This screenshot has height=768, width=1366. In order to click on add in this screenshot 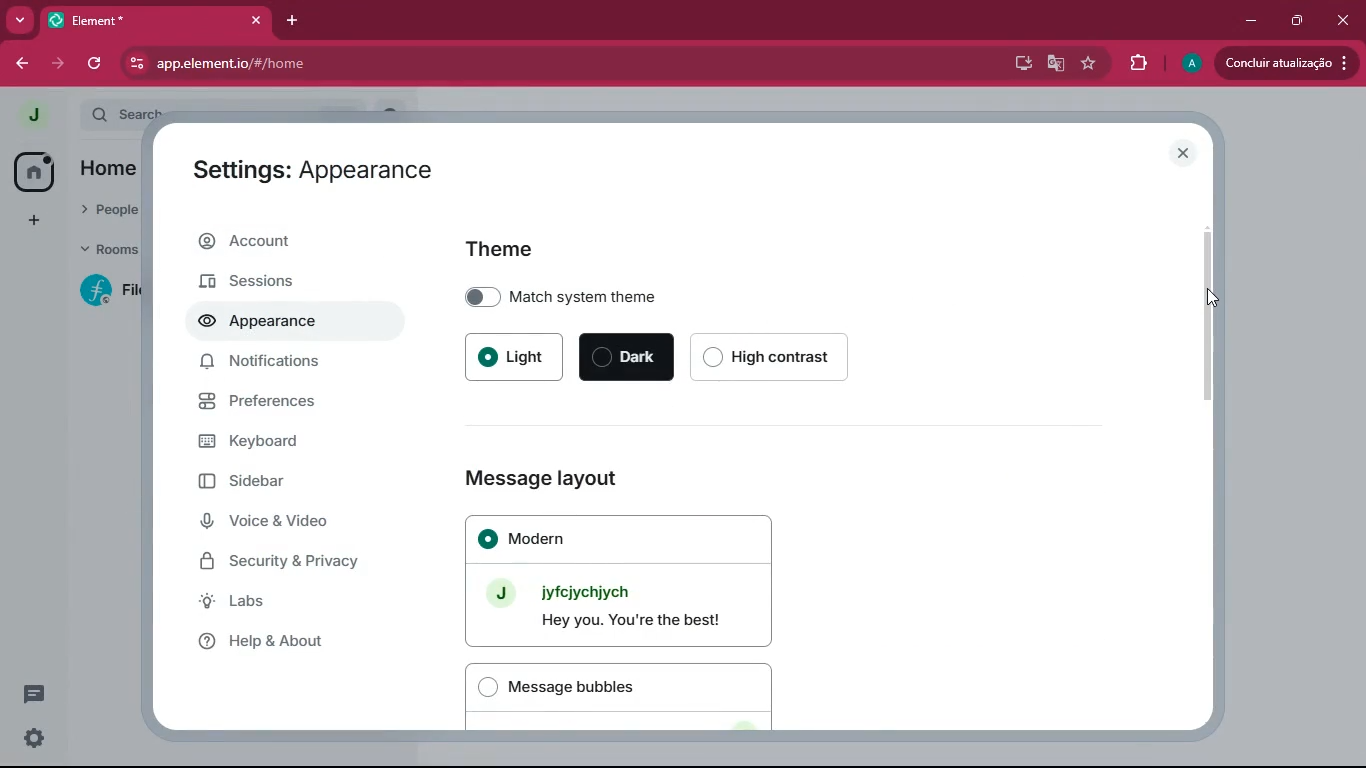, I will do `click(26, 221)`.